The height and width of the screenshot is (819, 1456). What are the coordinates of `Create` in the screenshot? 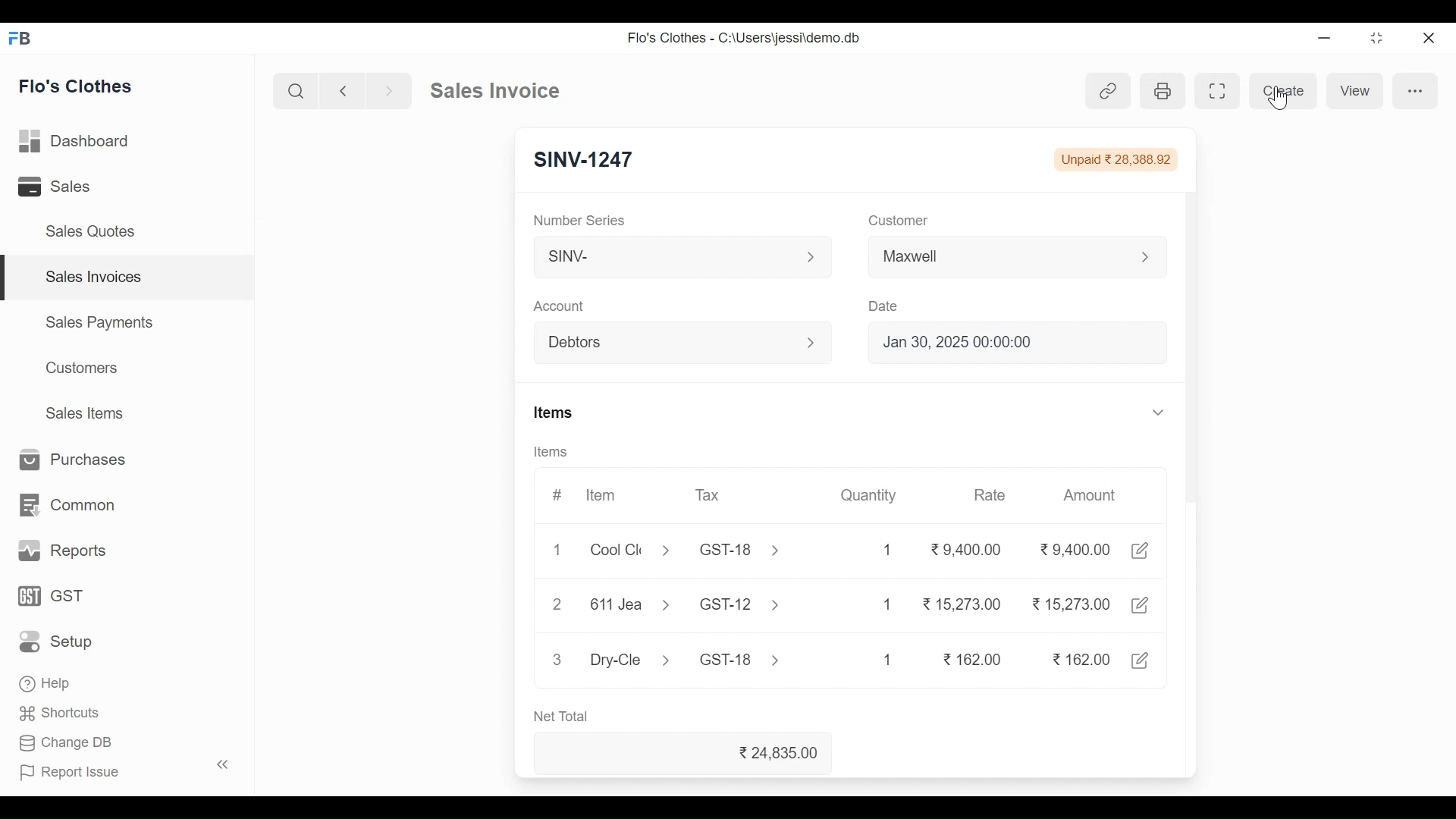 It's located at (1283, 89).